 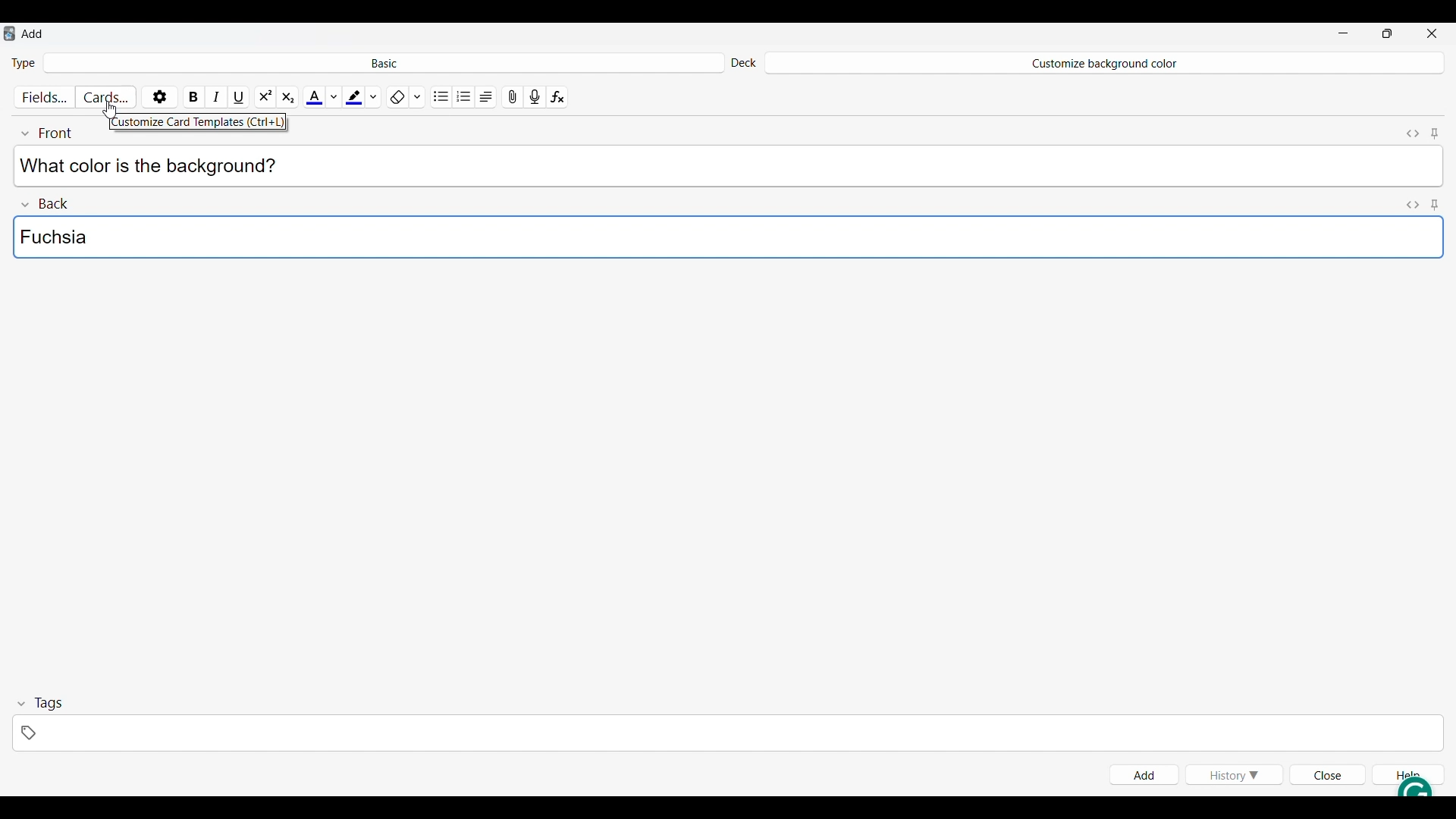 What do you see at coordinates (535, 95) in the screenshot?
I see `Record audio` at bounding box center [535, 95].